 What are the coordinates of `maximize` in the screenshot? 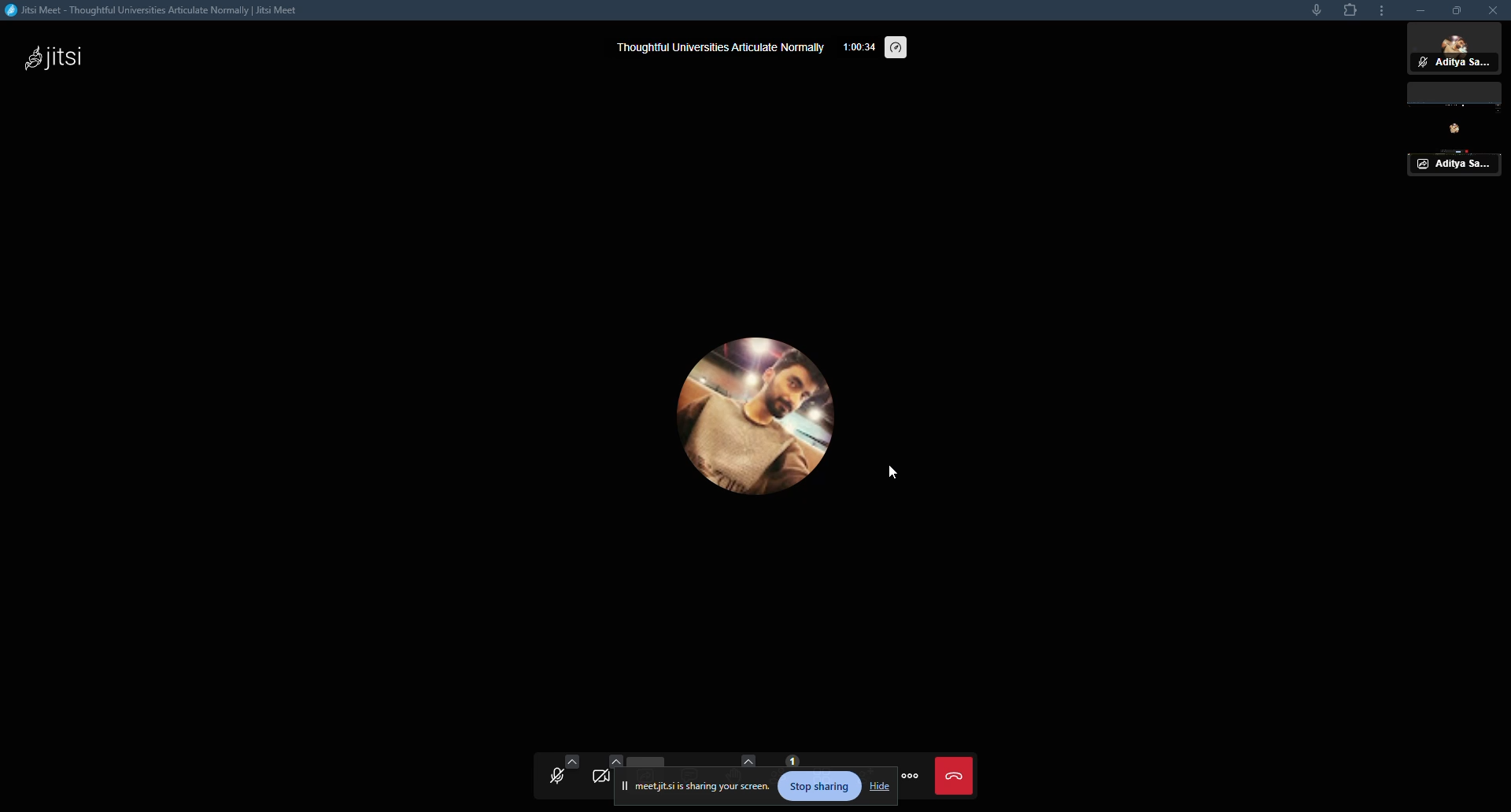 It's located at (1454, 13).